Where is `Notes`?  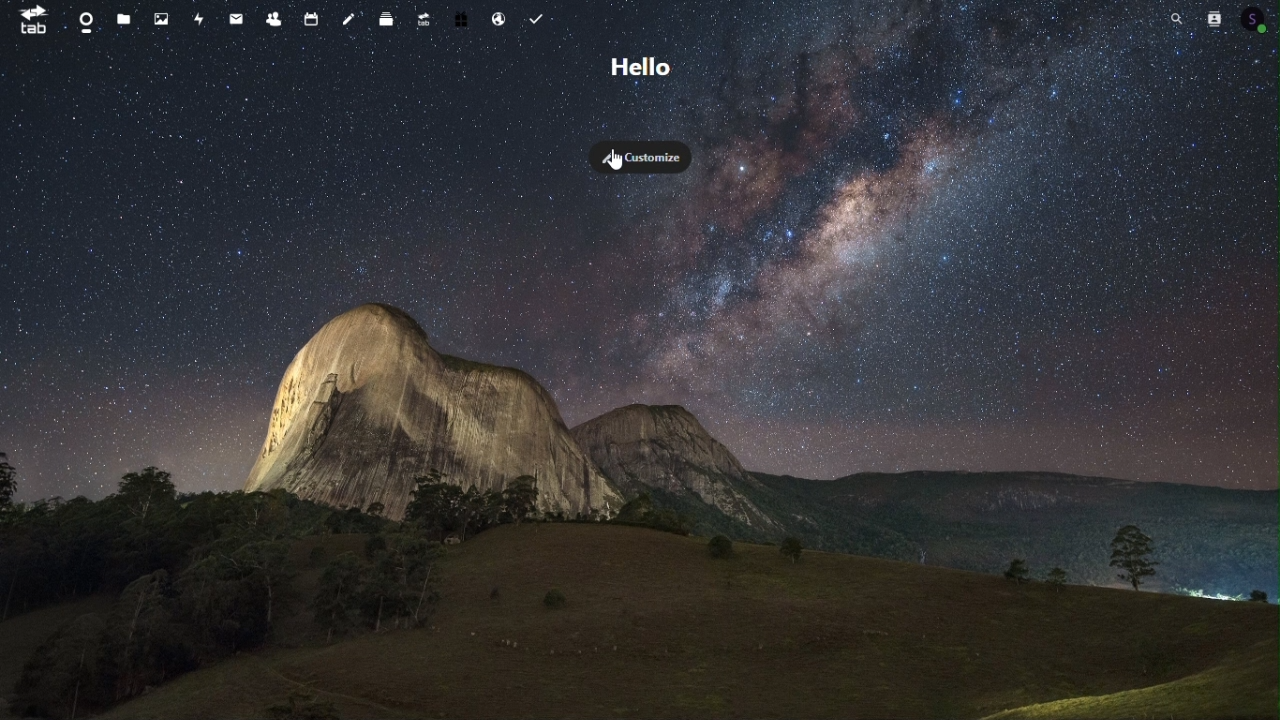 Notes is located at coordinates (347, 16).